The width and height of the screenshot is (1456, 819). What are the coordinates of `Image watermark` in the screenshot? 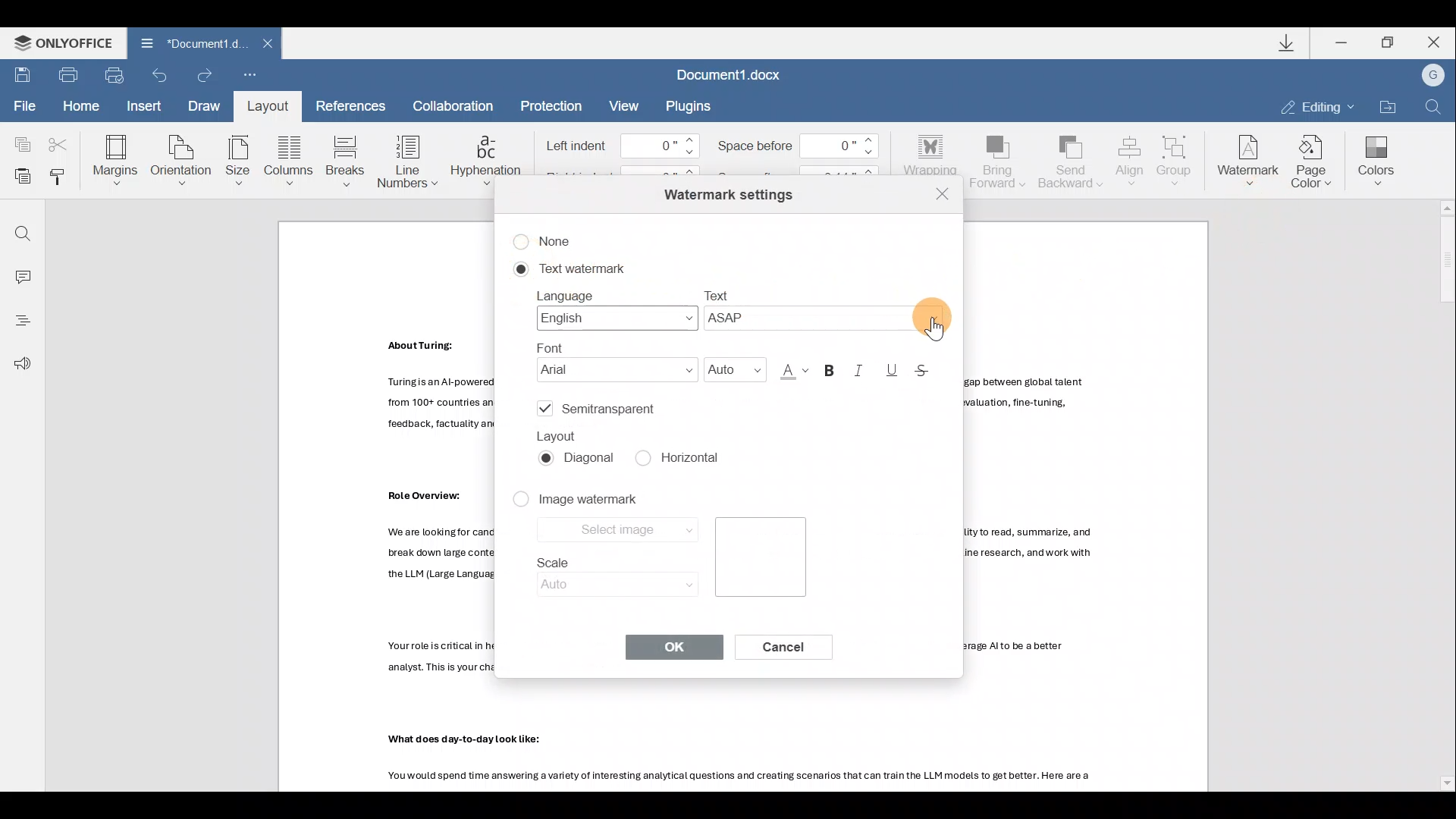 It's located at (591, 503).